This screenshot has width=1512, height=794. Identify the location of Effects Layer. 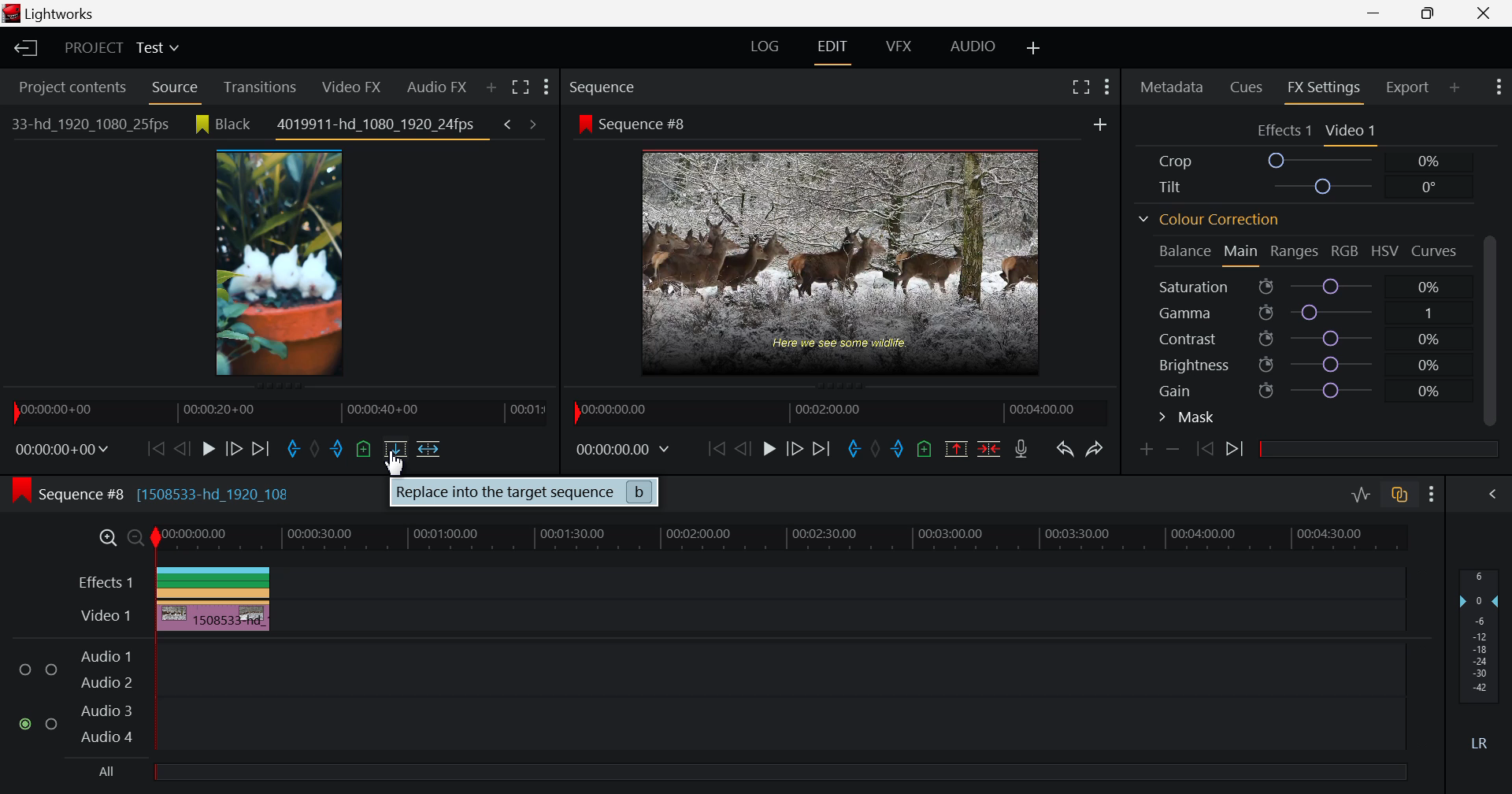
(732, 581).